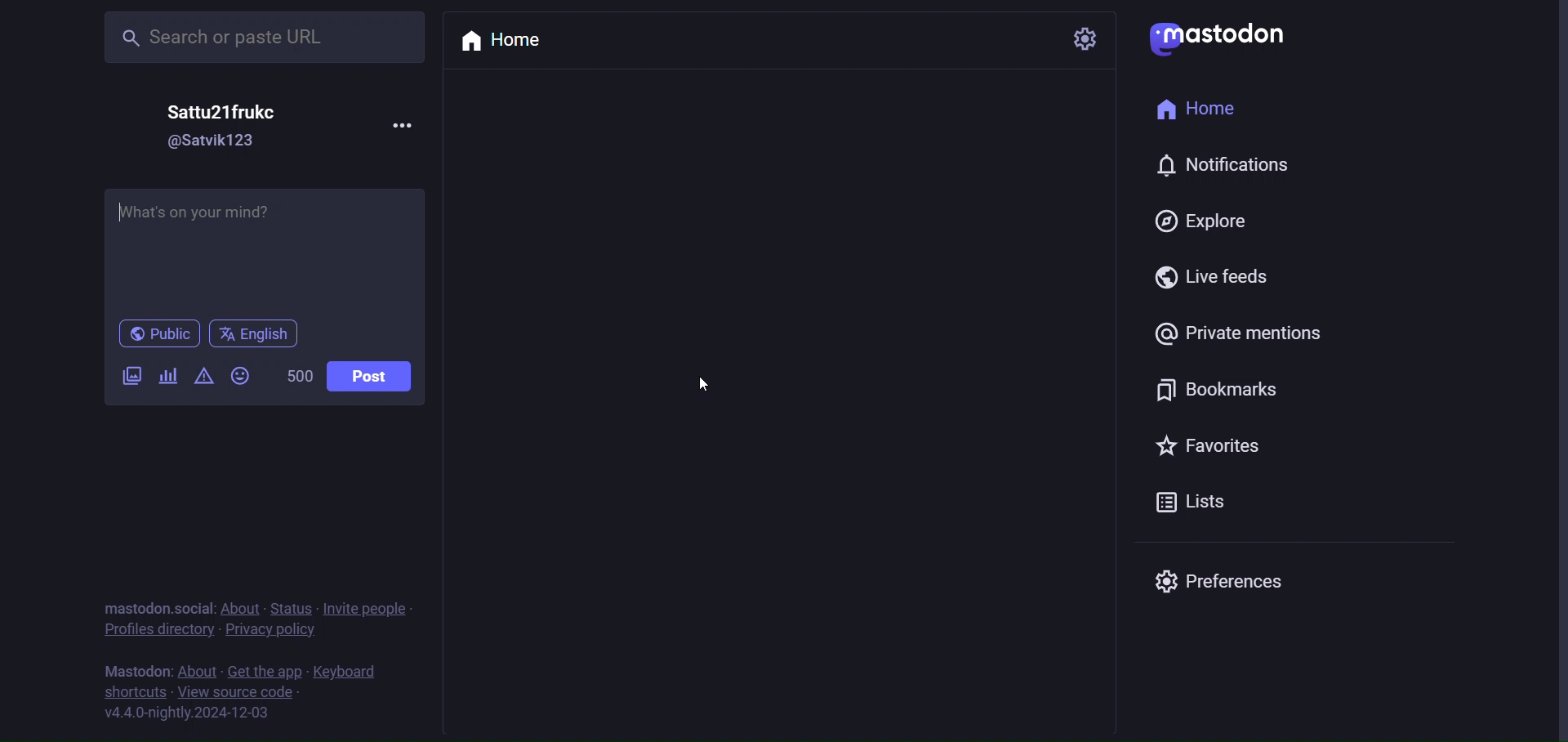  Describe the element at coordinates (271, 632) in the screenshot. I see `privacy policy` at that location.